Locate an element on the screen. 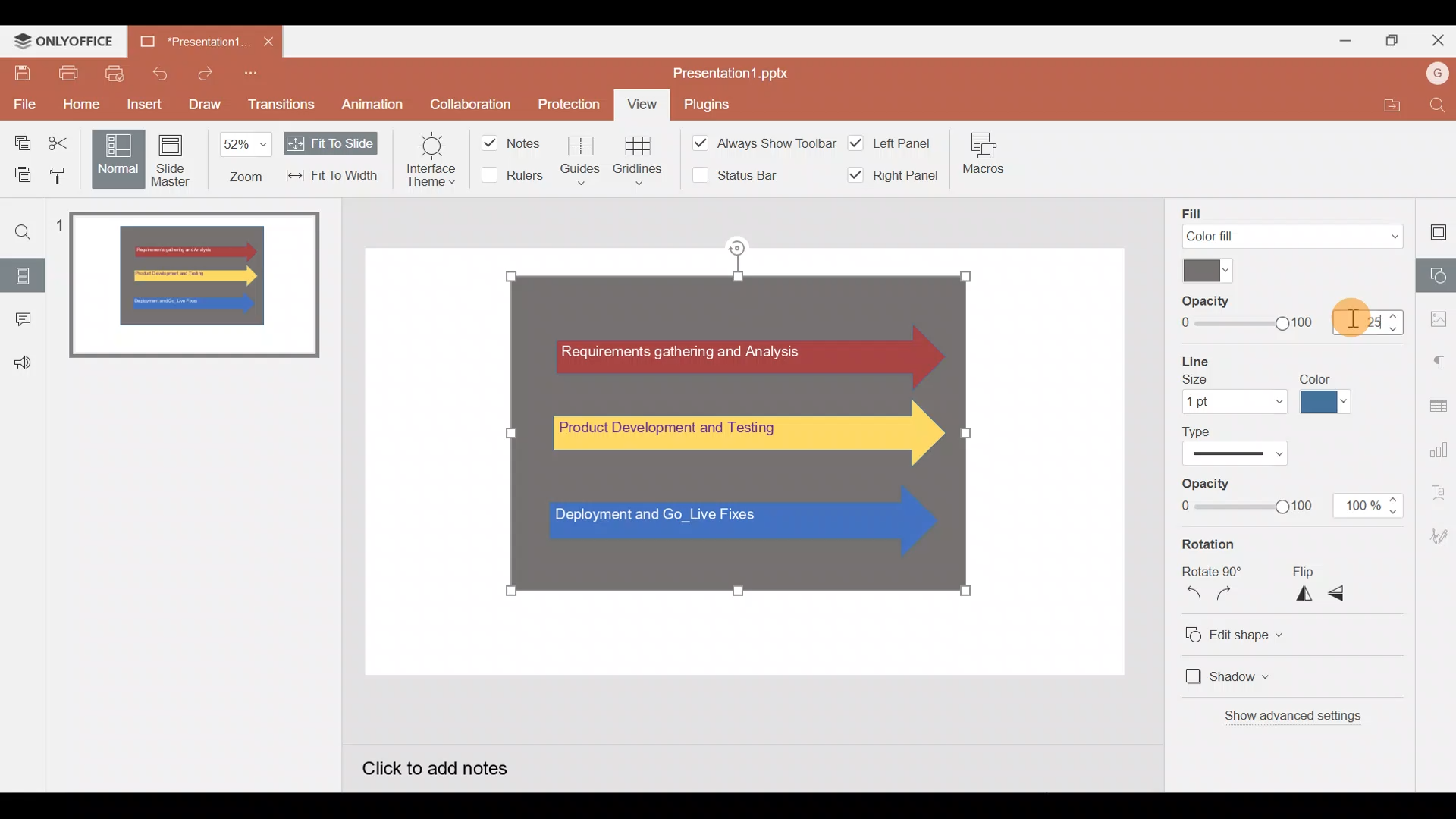  Text Art settings is located at coordinates (1437, 495).